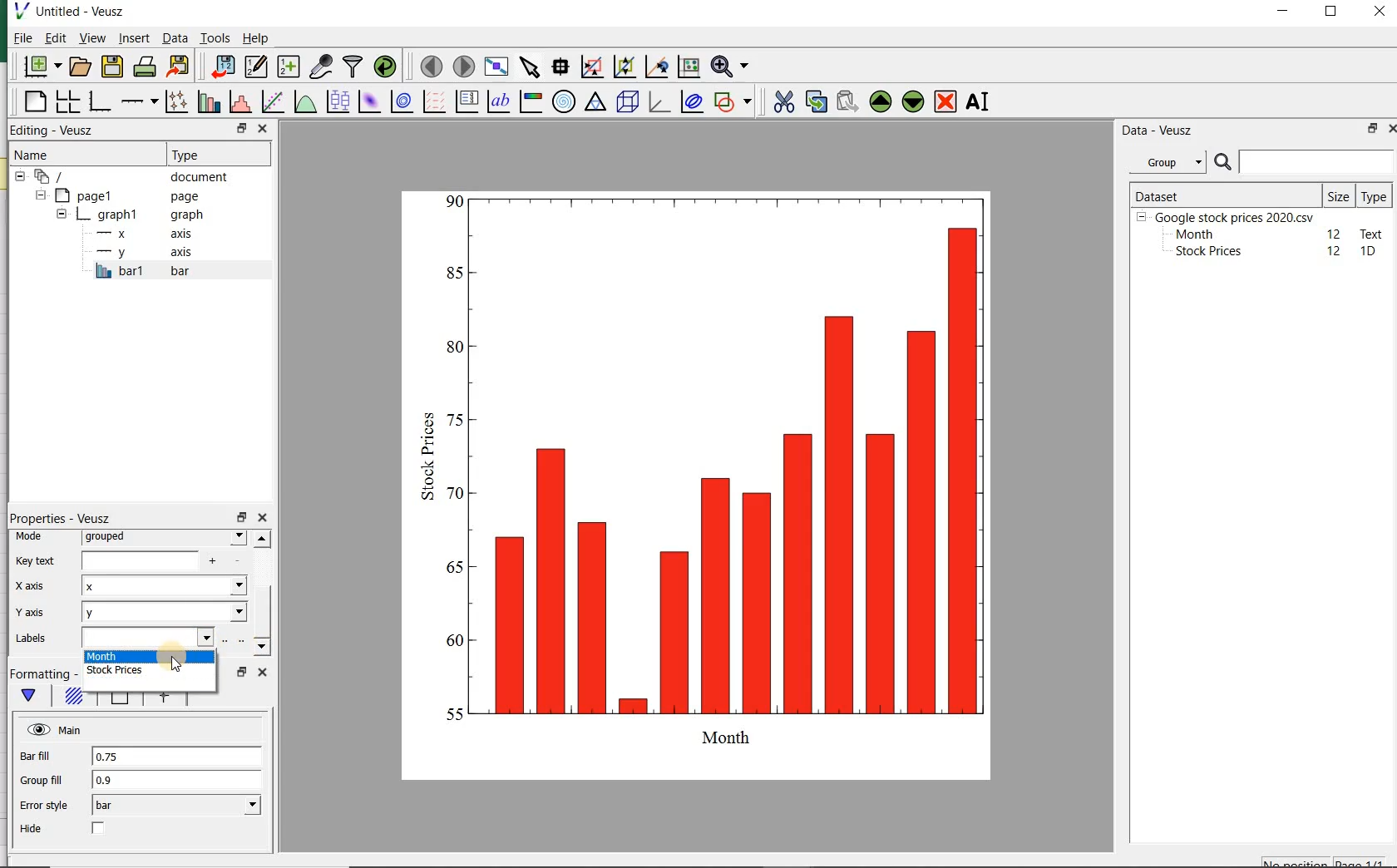  Describe the element at coordinates (207, 153) in the screenshot. I see `Type` at that location.